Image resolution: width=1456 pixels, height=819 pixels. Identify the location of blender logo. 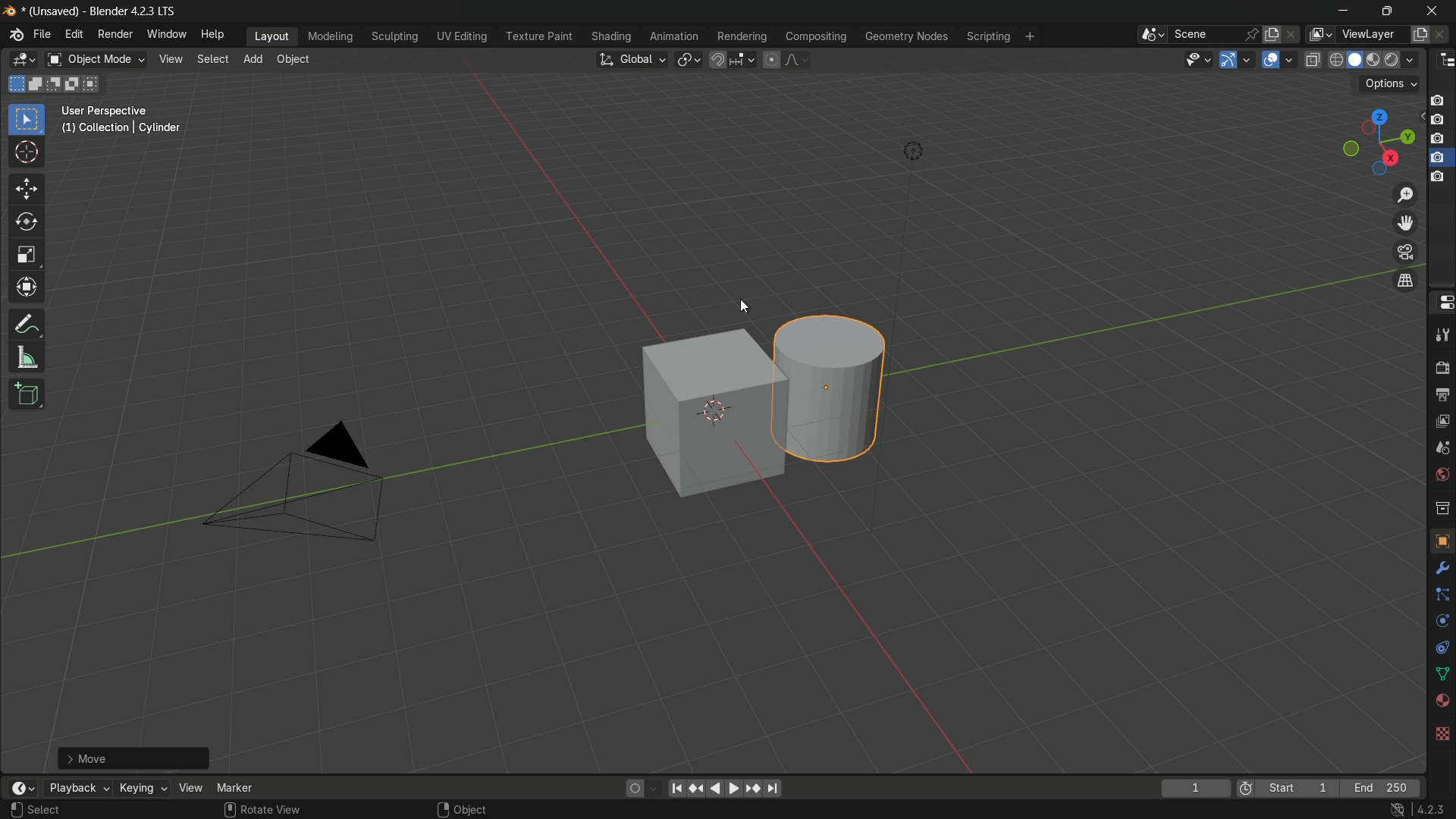
(11, 11).